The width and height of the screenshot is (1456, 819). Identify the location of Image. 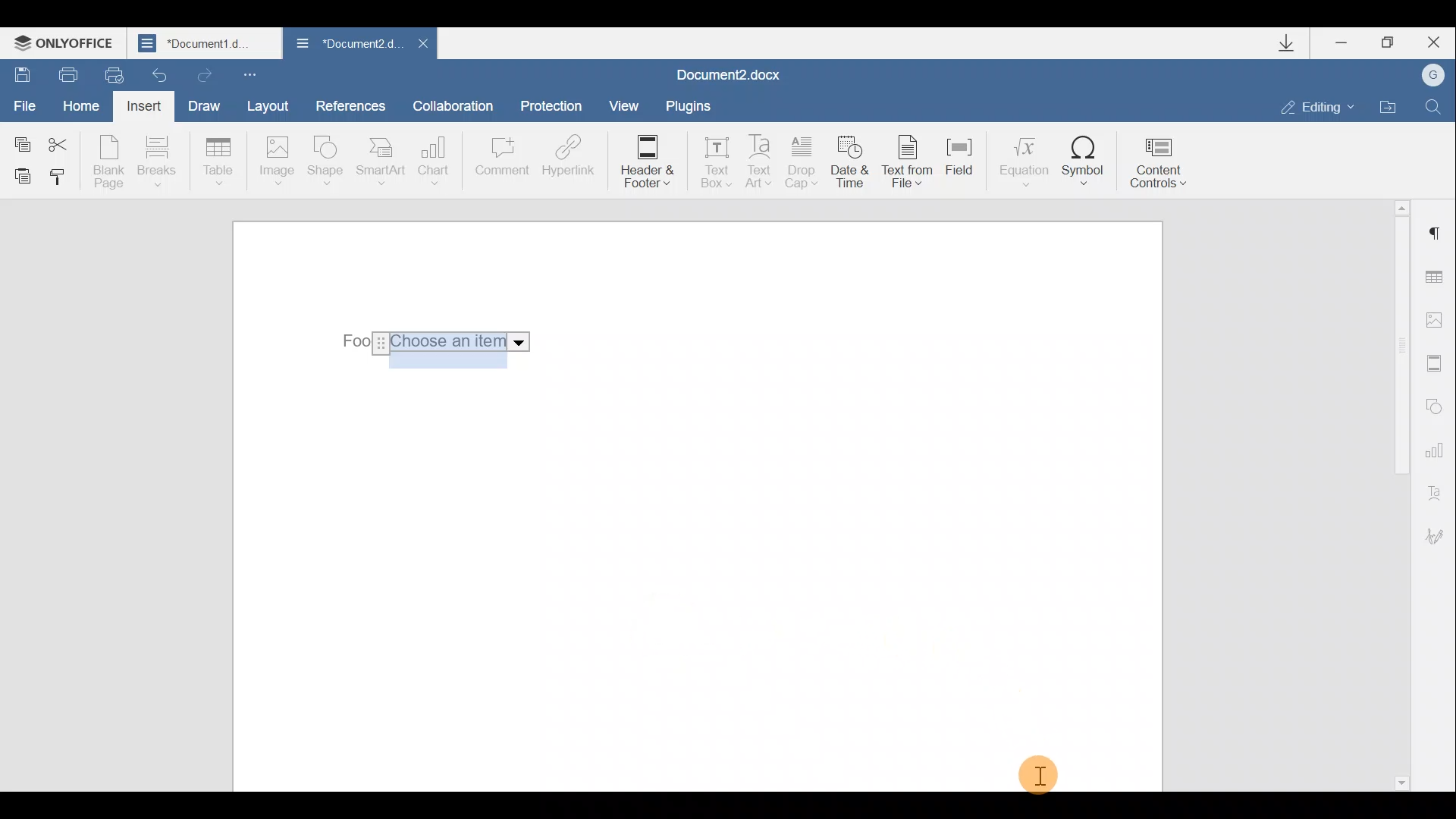
(276, 162).